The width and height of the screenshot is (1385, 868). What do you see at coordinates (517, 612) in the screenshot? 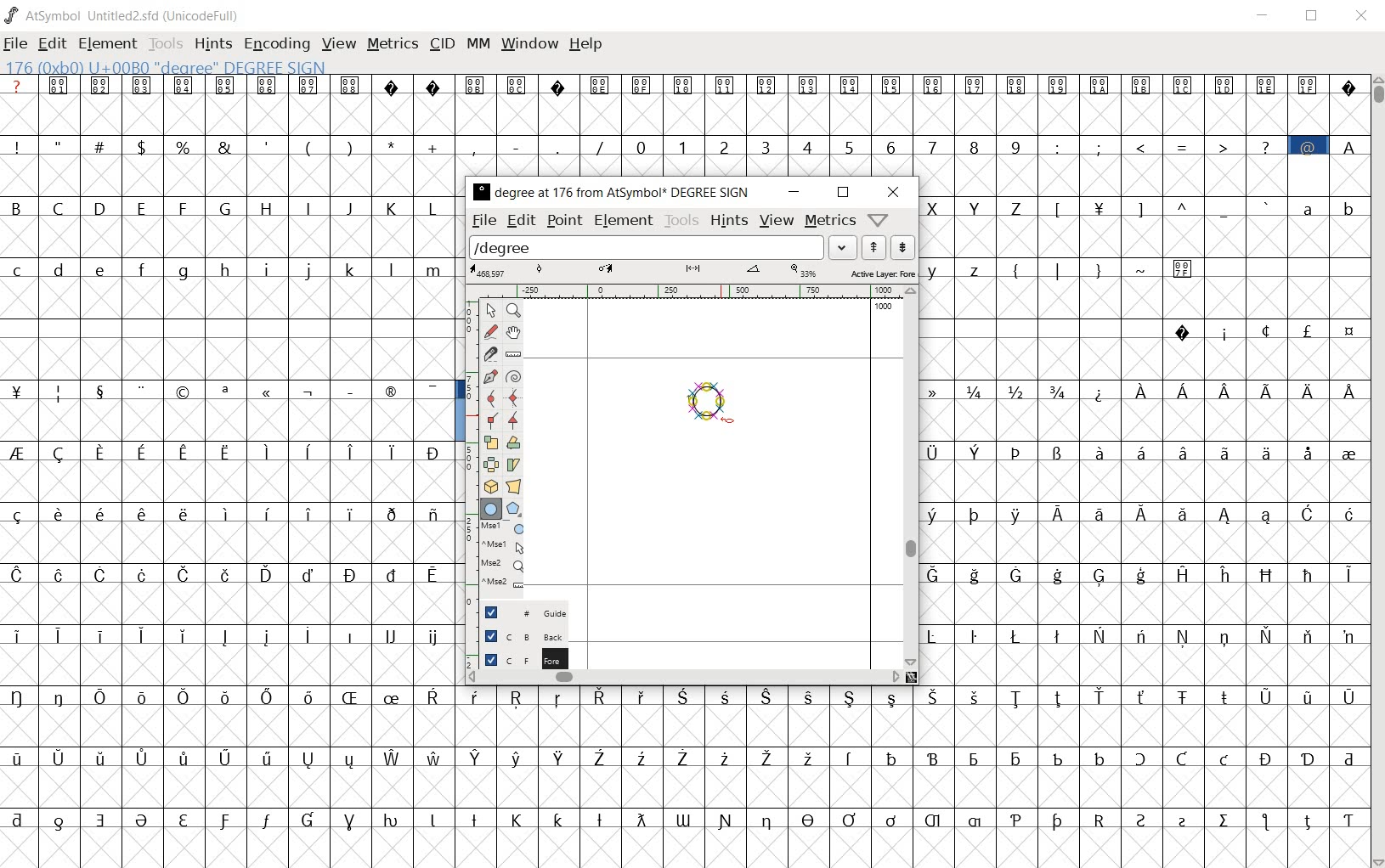
I see `guide` at bounding box center [517, 612].